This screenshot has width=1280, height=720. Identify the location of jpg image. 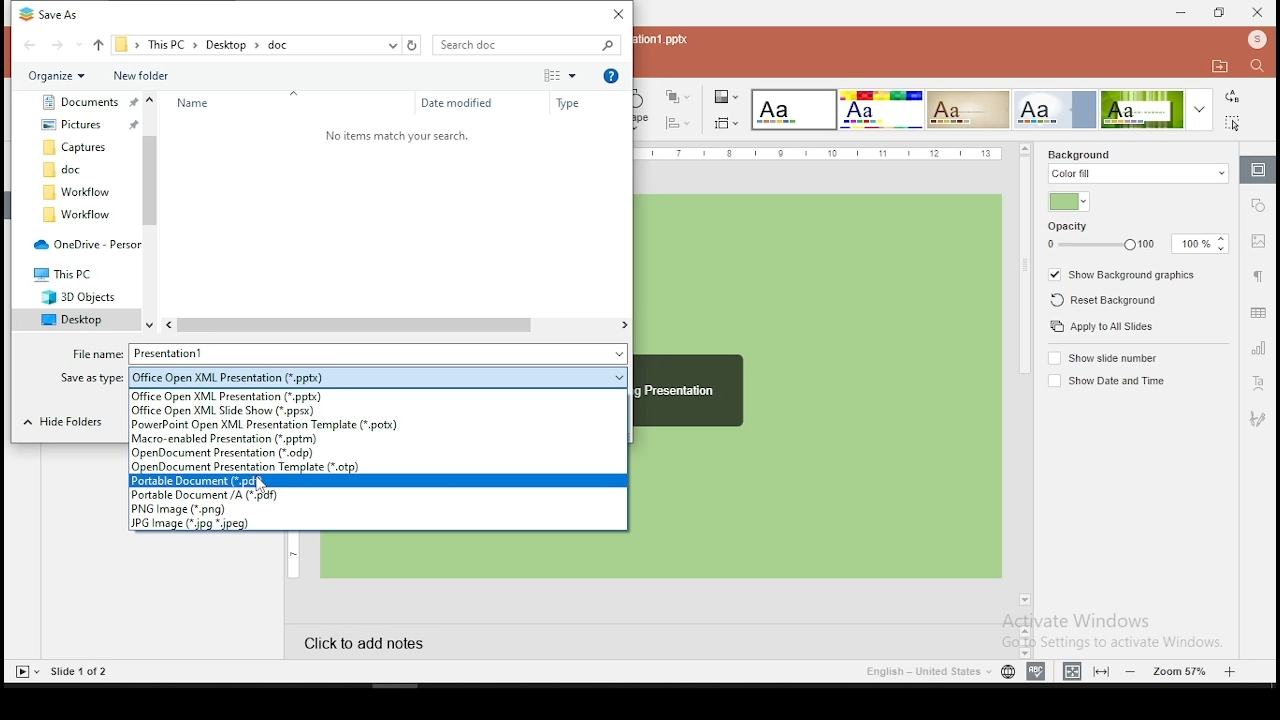
(376, 524).